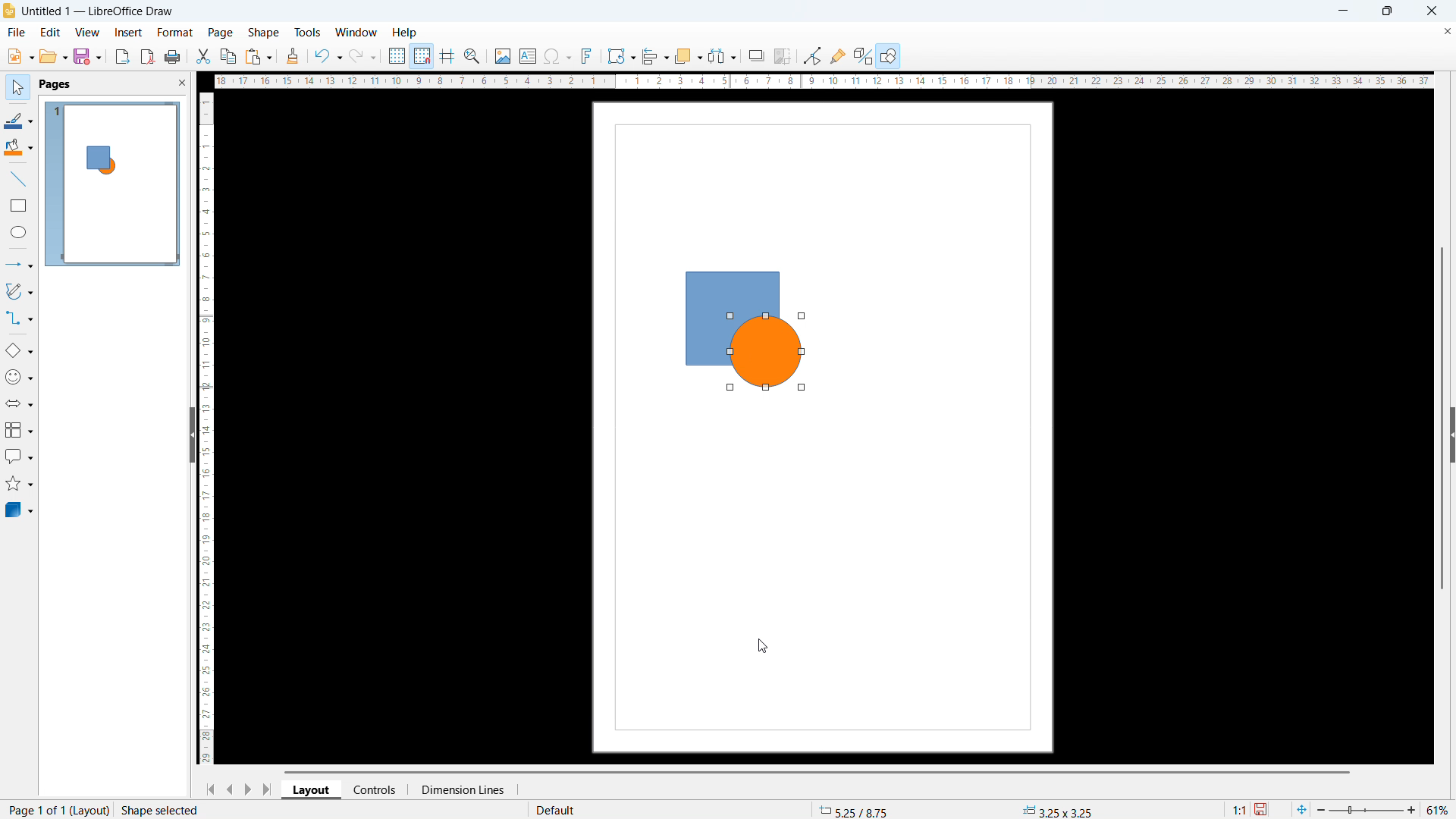  I want to click on redo, so click(364, 55).